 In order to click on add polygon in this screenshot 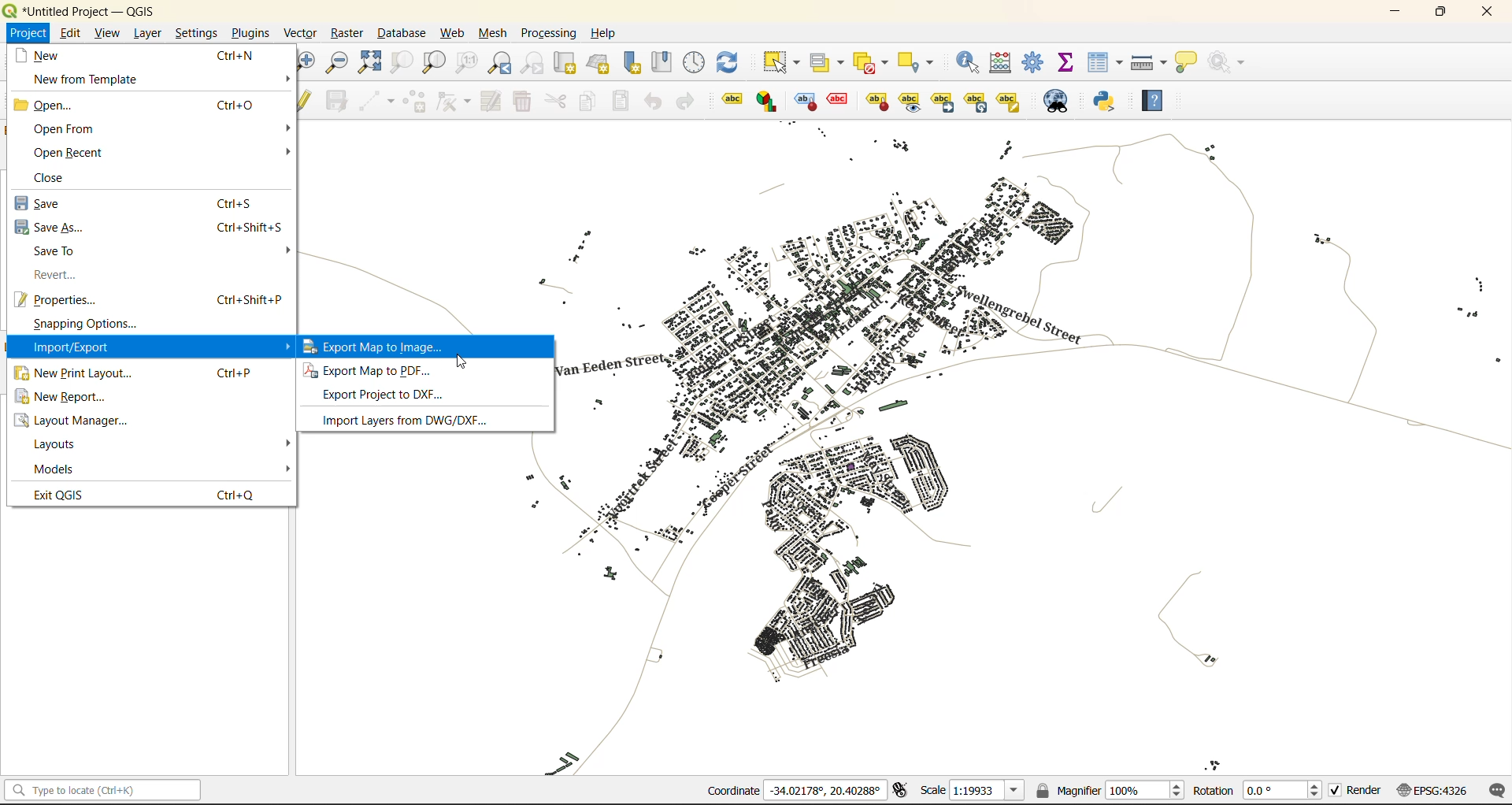, I will do `click(414, 102)`.